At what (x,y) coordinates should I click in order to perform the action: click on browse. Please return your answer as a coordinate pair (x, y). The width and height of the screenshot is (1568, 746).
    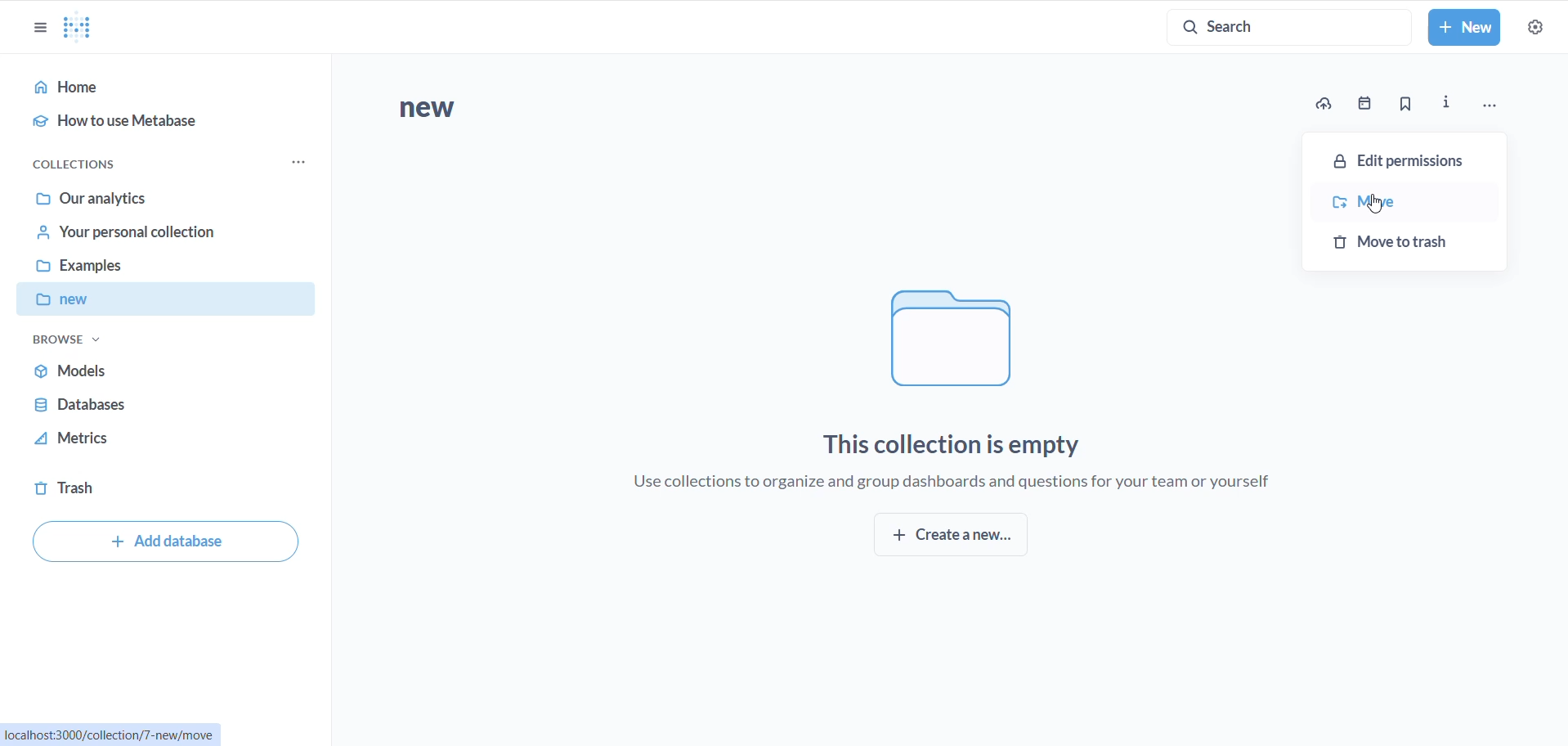
    Looking at the image, I should click on (68, 344).